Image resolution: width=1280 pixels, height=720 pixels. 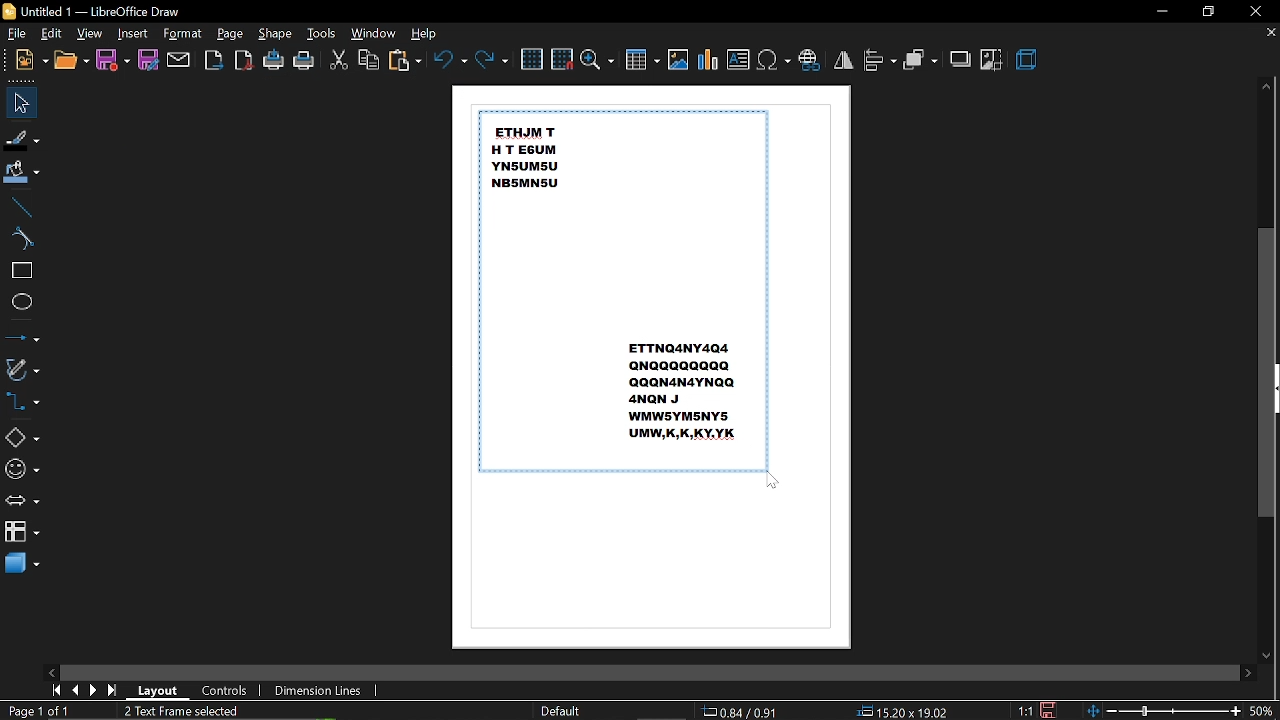 What do you see at coordinates (90, 34) in the screenshot?
I see `view` at bounding box center [90, 34].